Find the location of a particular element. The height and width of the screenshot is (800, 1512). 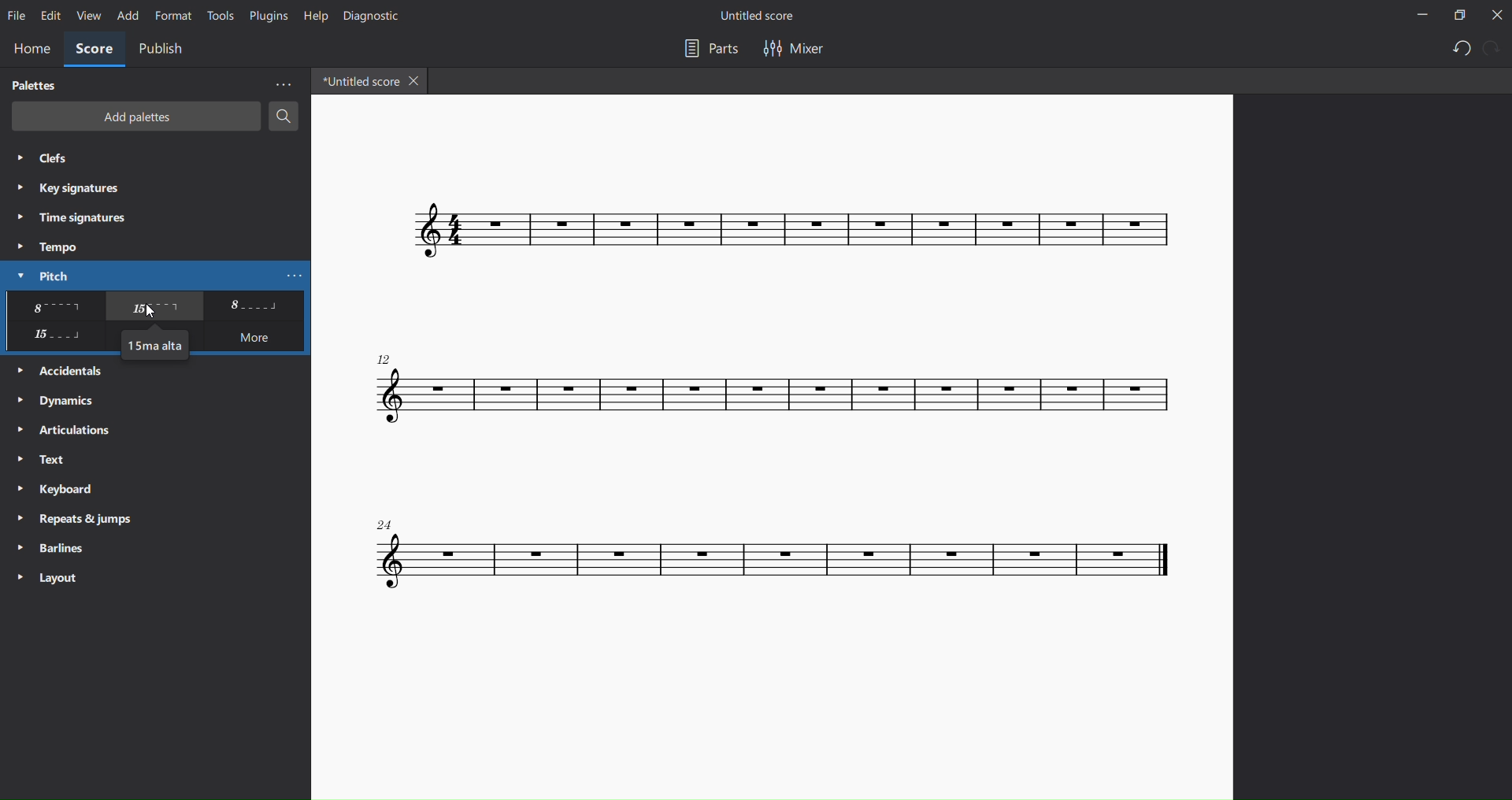

dignostic is located at coordinates (377, 17).